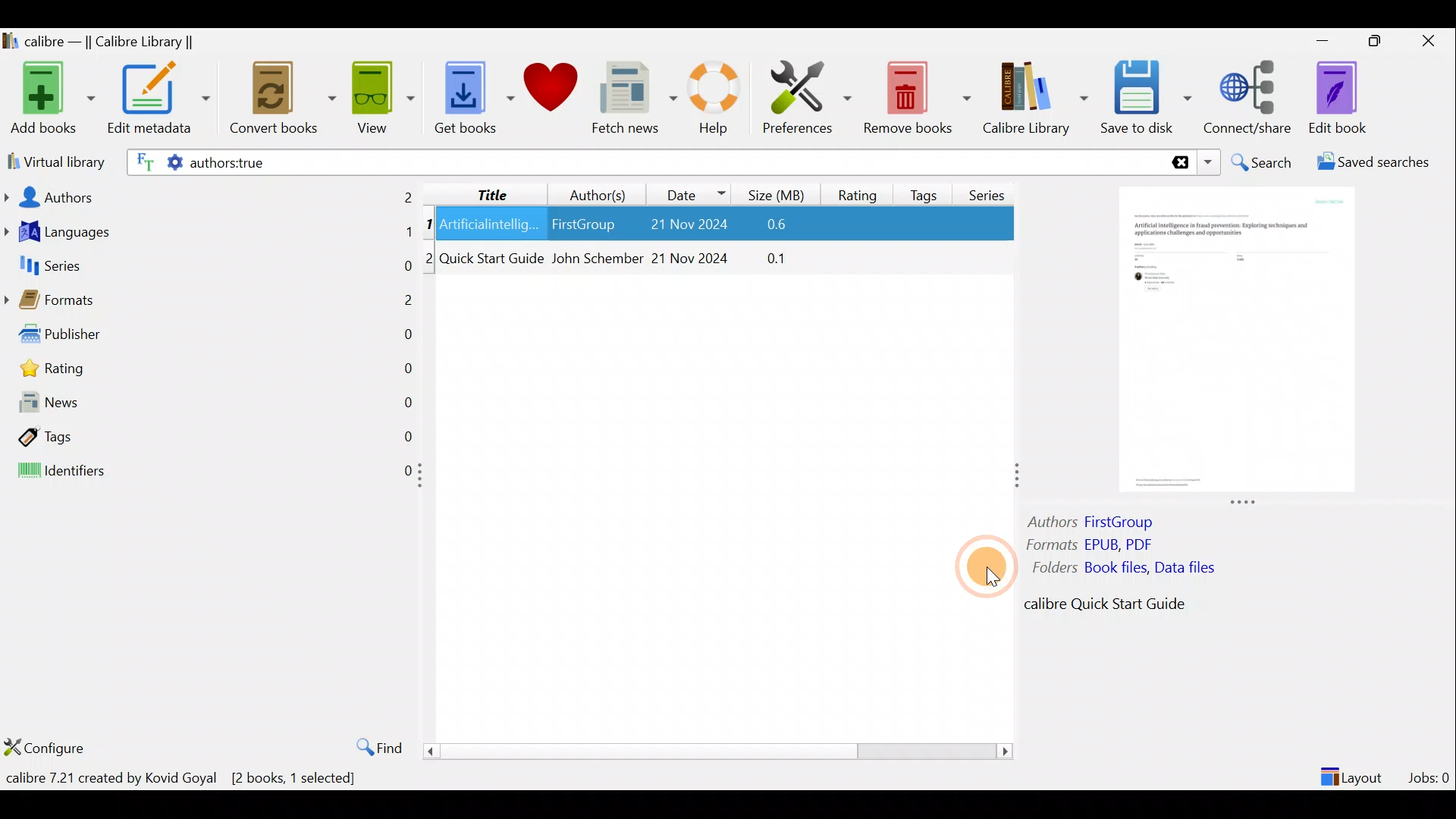 This screenshot has width=1456, height=819. Describe the element at coordinates (1178, 163) in the screenshot. I see `Clear search result` at that location.